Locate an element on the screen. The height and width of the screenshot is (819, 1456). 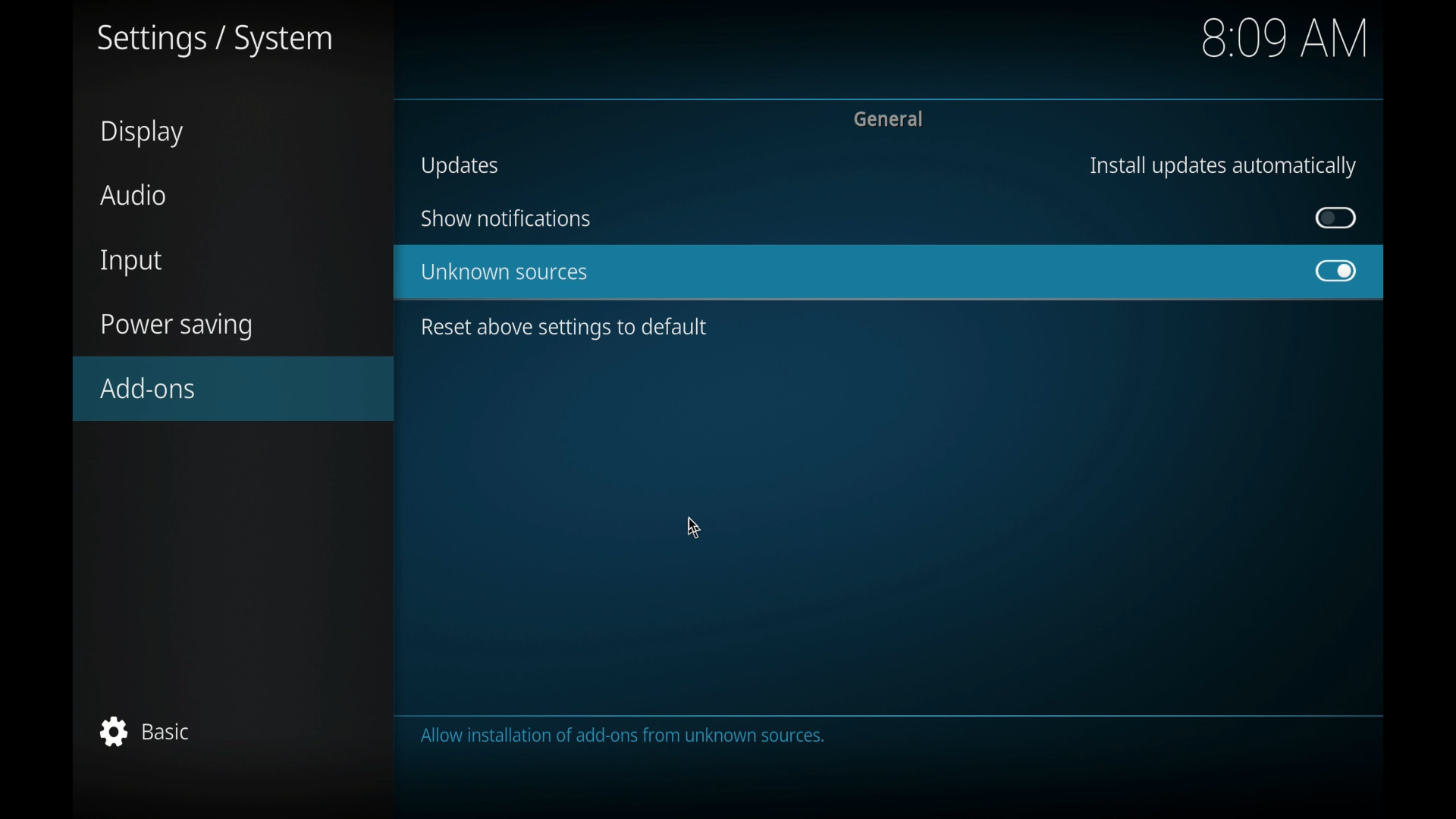
toggle button is located at coordinates (1337, 271).